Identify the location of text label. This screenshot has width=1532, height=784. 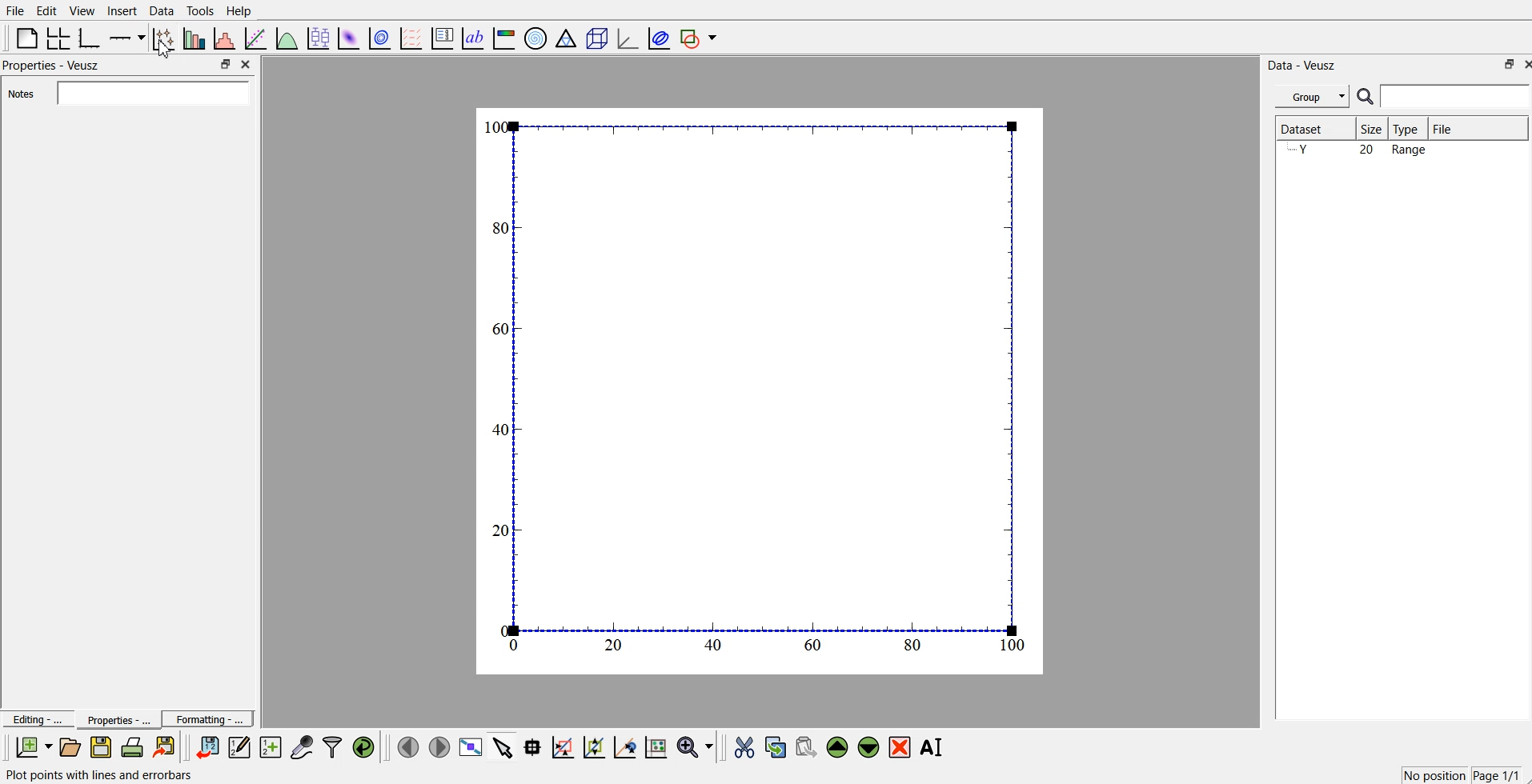
(473, 38).